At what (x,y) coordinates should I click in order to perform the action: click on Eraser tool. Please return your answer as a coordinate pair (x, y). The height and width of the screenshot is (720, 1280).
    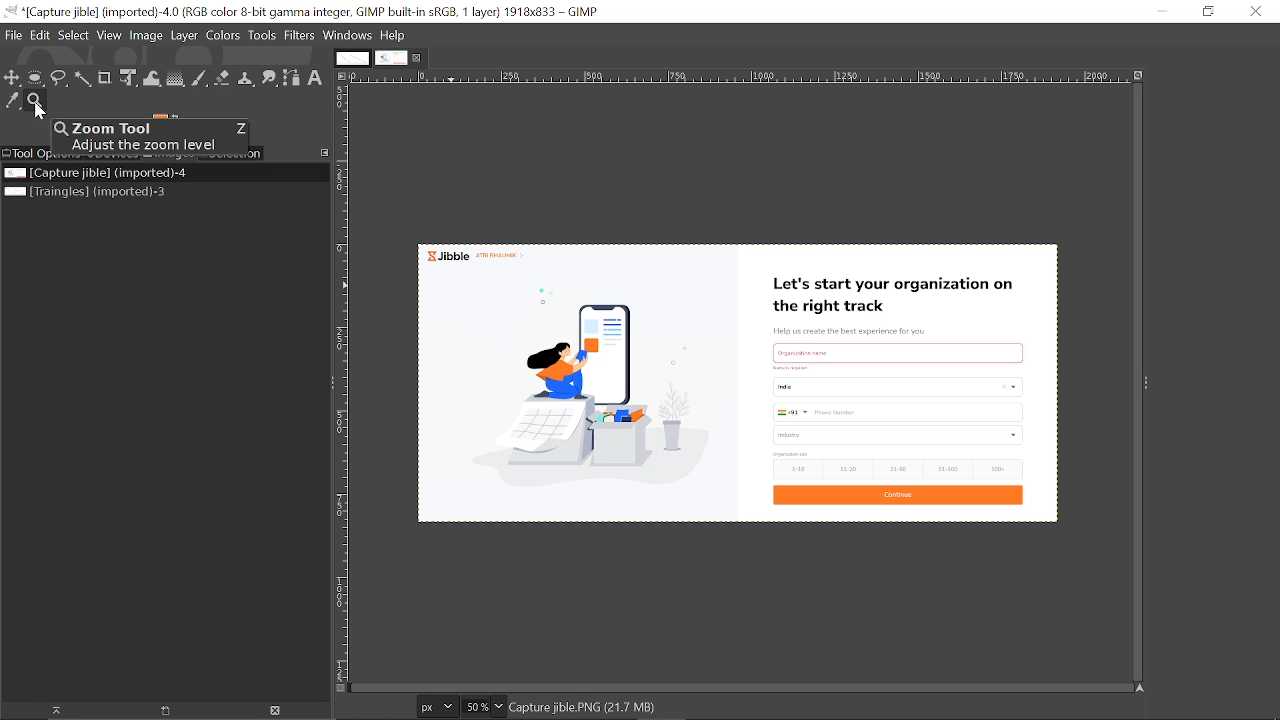
    Looking at the image, I should click on (220, 79).